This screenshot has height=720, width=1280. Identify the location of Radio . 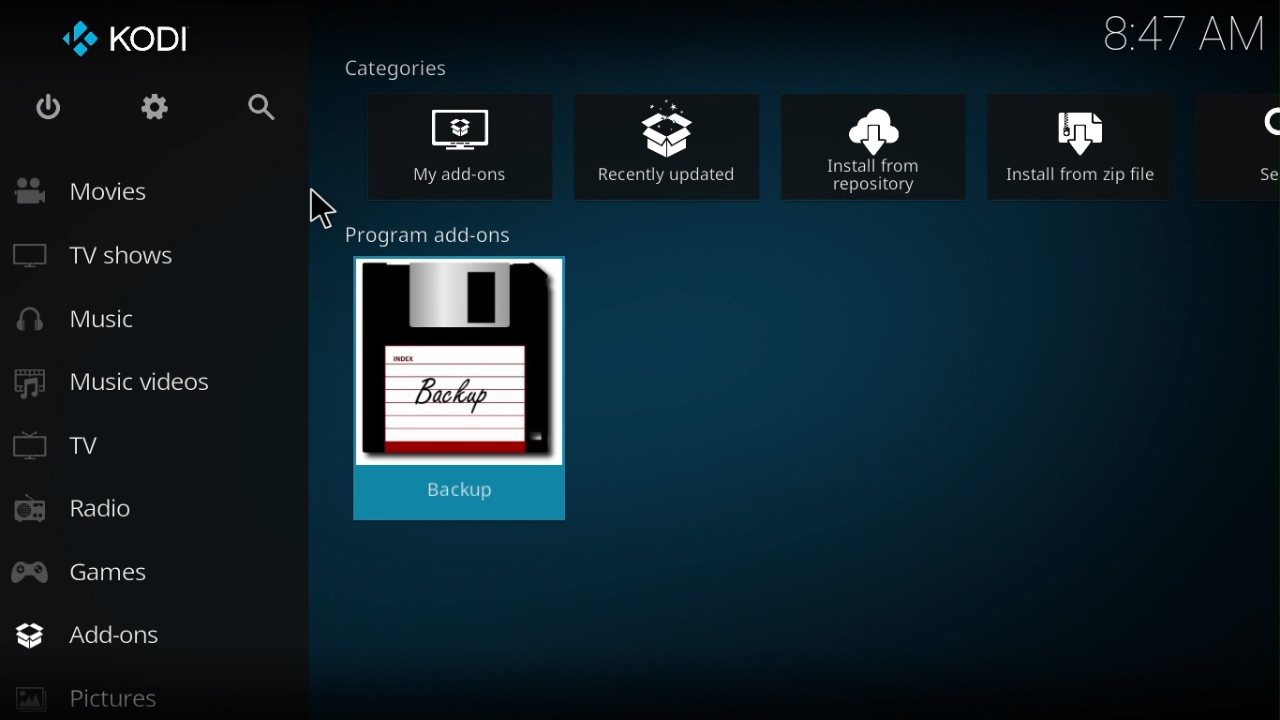
(81, 512).